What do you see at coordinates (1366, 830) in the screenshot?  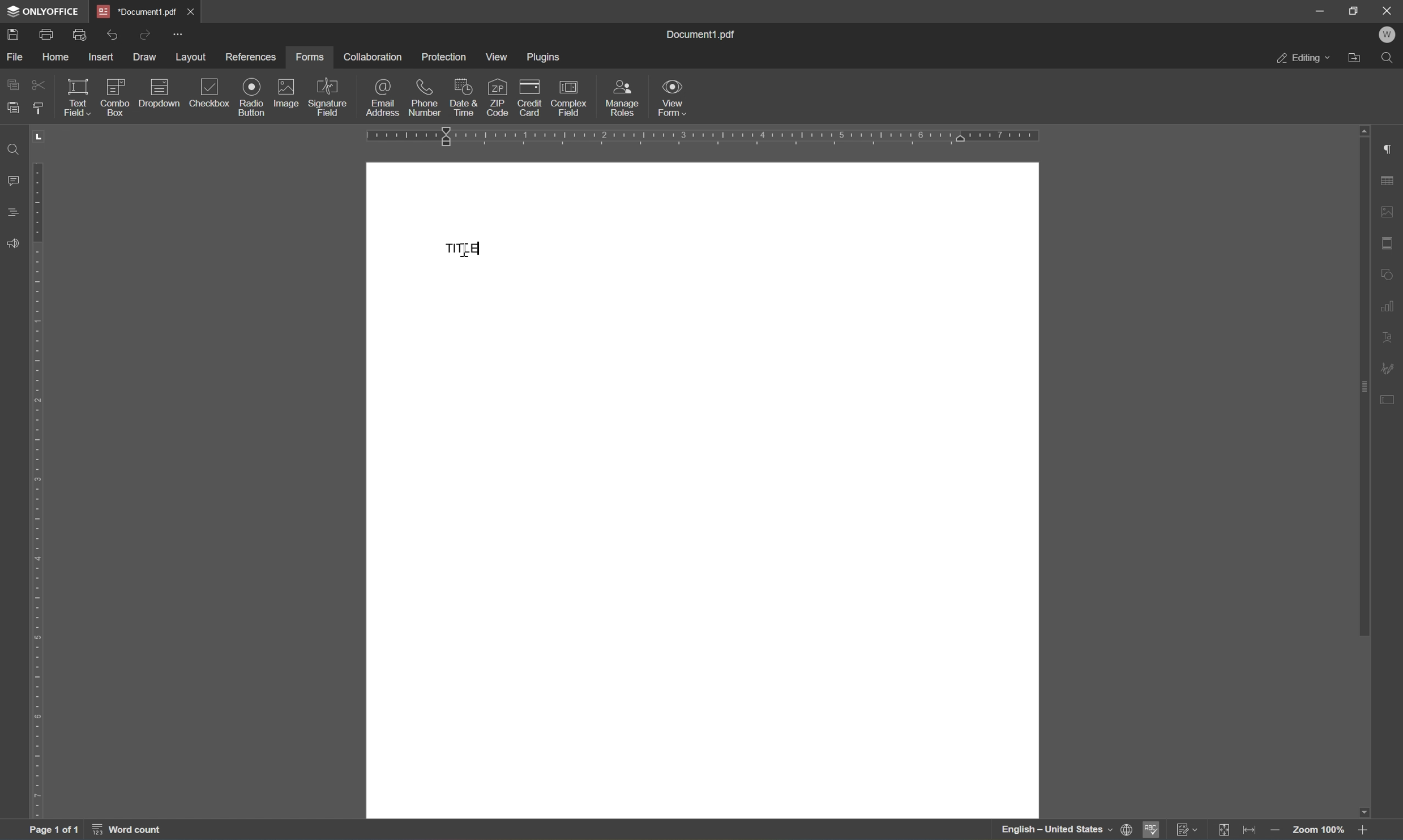 I see `Zoom in` at bounding box center [1366, 830].